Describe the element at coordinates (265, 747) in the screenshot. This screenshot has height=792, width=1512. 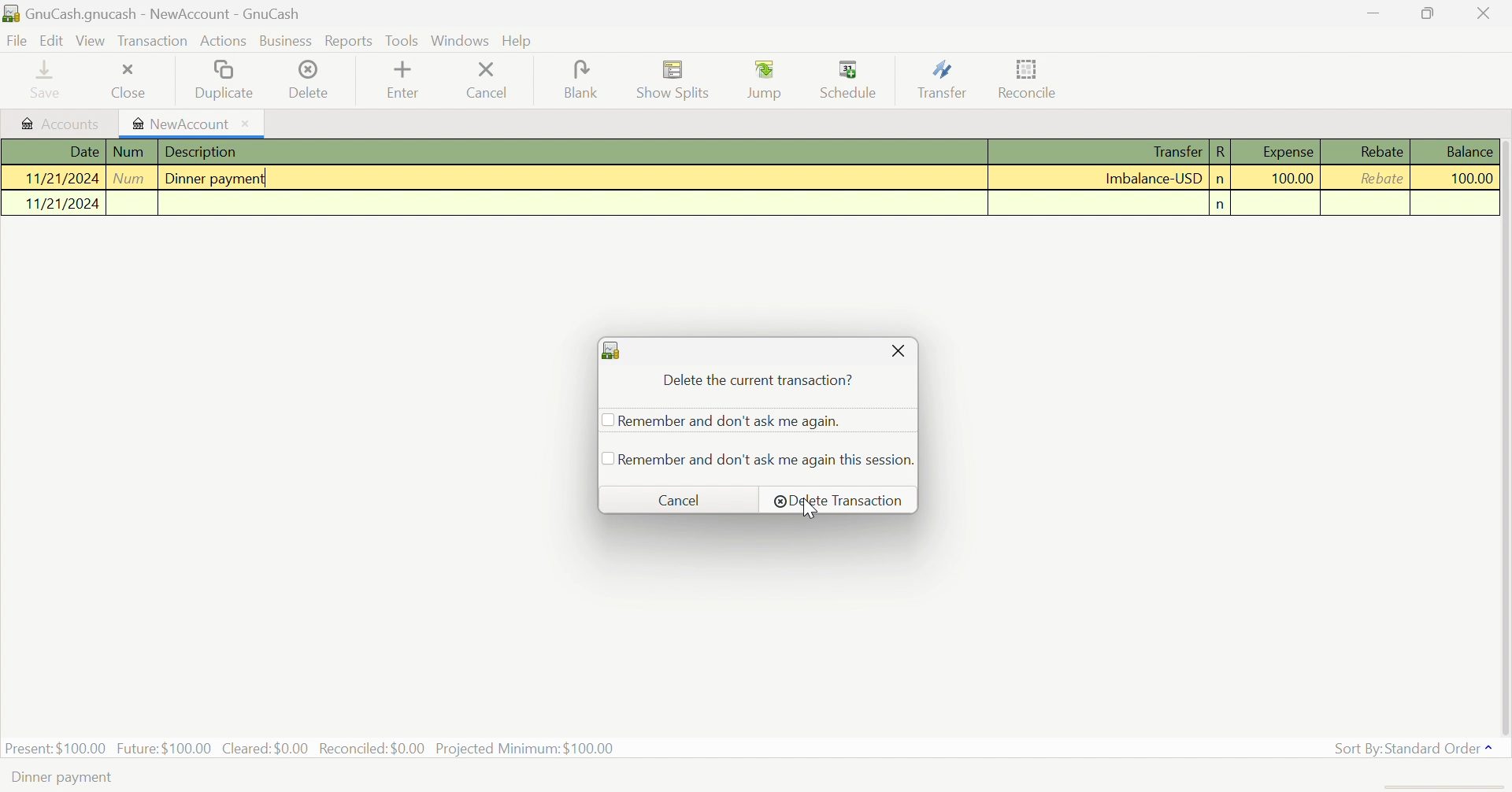
I see `Cleared: $0.00` at that location.